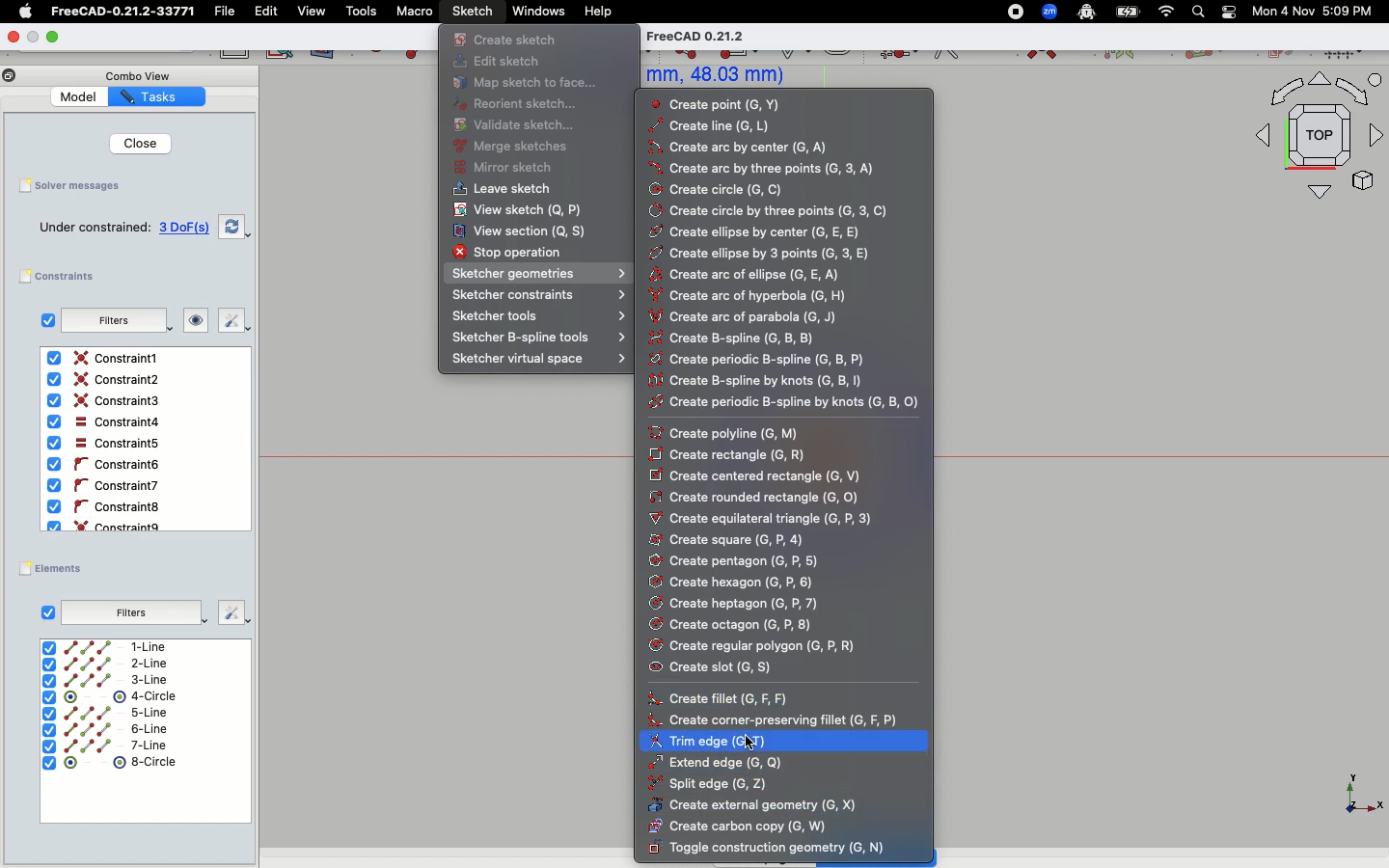 Image resolution: width=1389 pixels, height=868 pixels. I want to click on Search, so click(1197, 11).